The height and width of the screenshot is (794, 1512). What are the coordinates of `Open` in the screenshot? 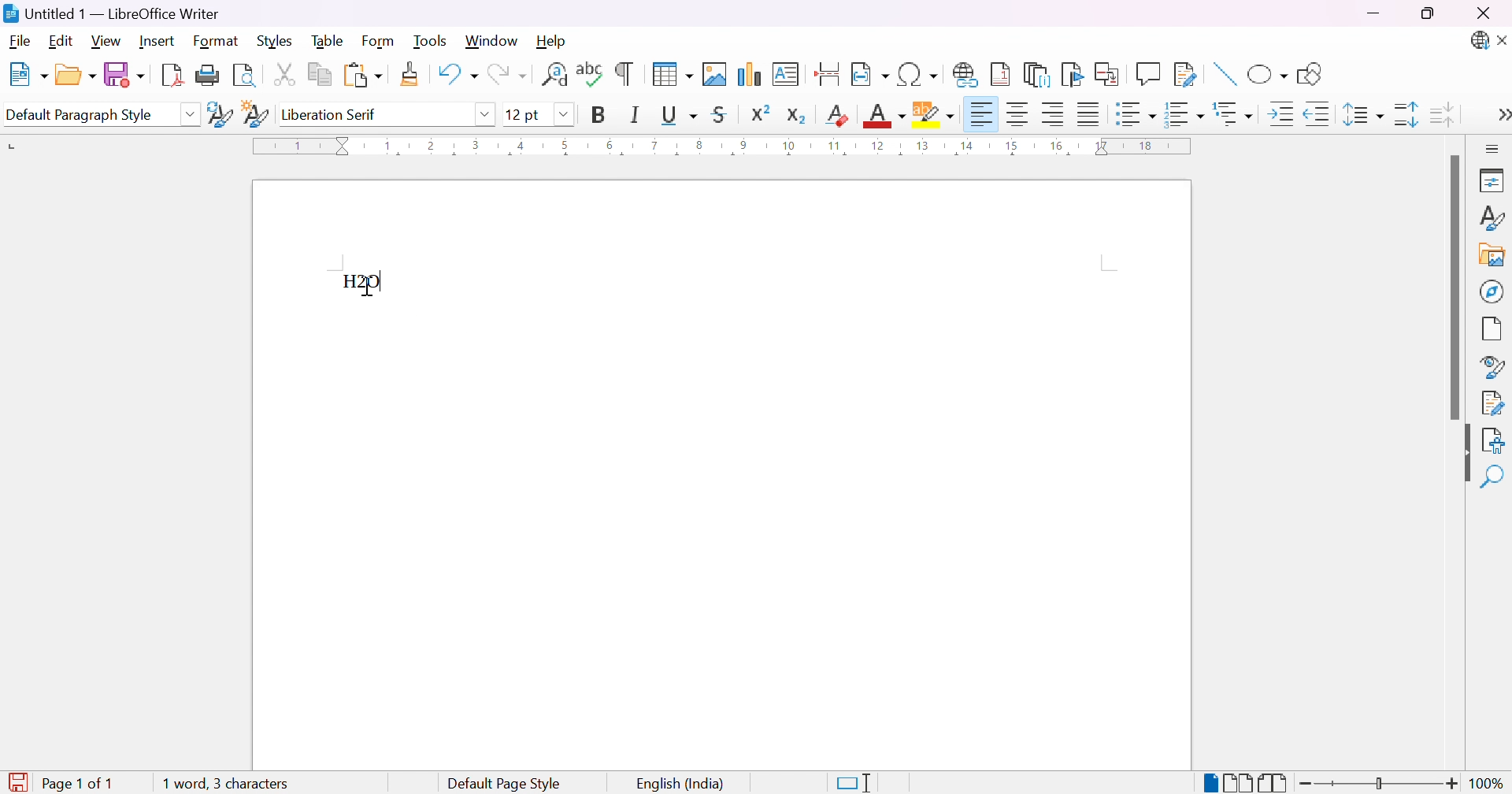 It's located at (75, 73).